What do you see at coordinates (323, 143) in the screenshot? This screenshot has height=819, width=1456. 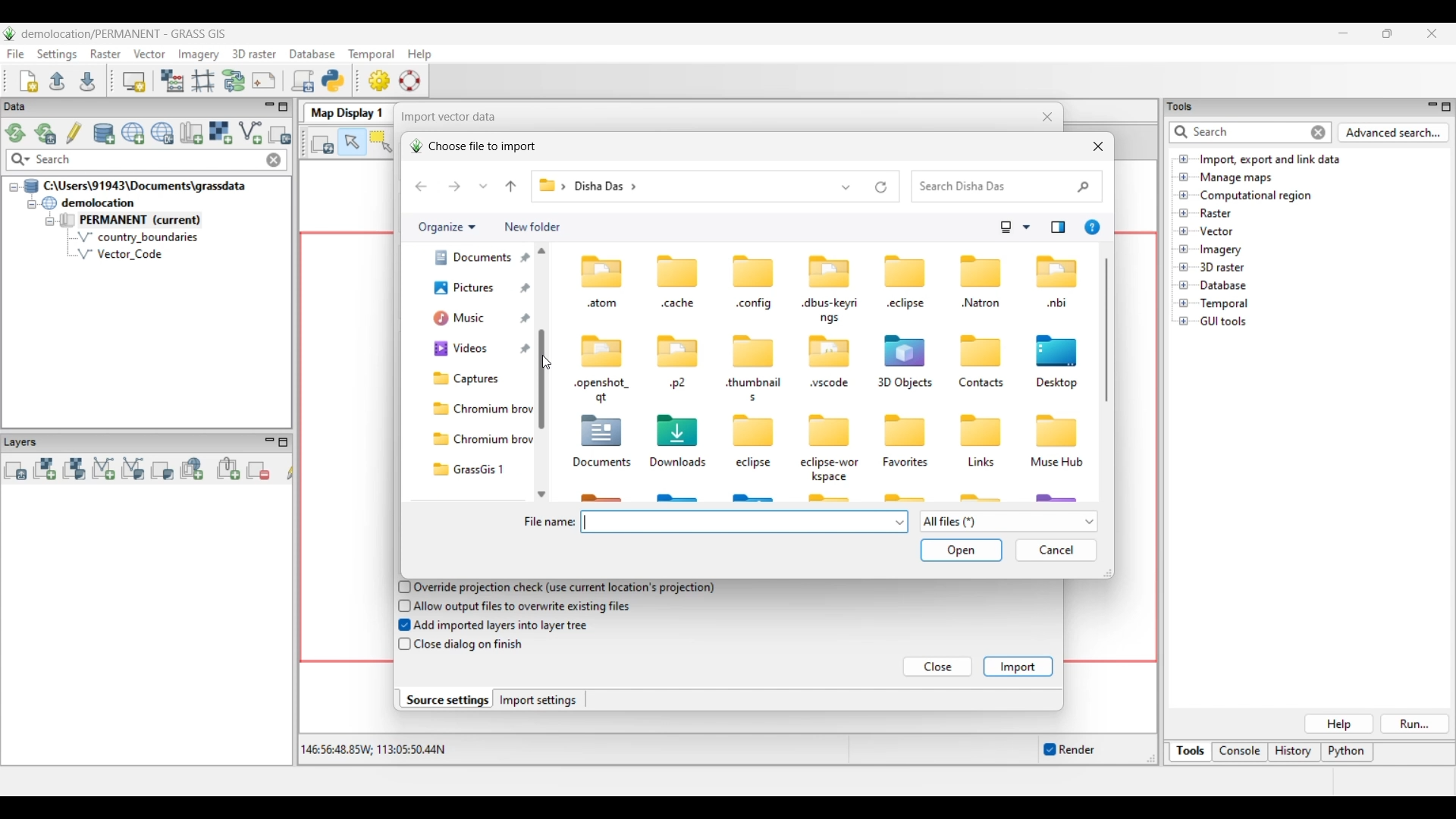 I see `Render map` at bounding box center [323, 143].